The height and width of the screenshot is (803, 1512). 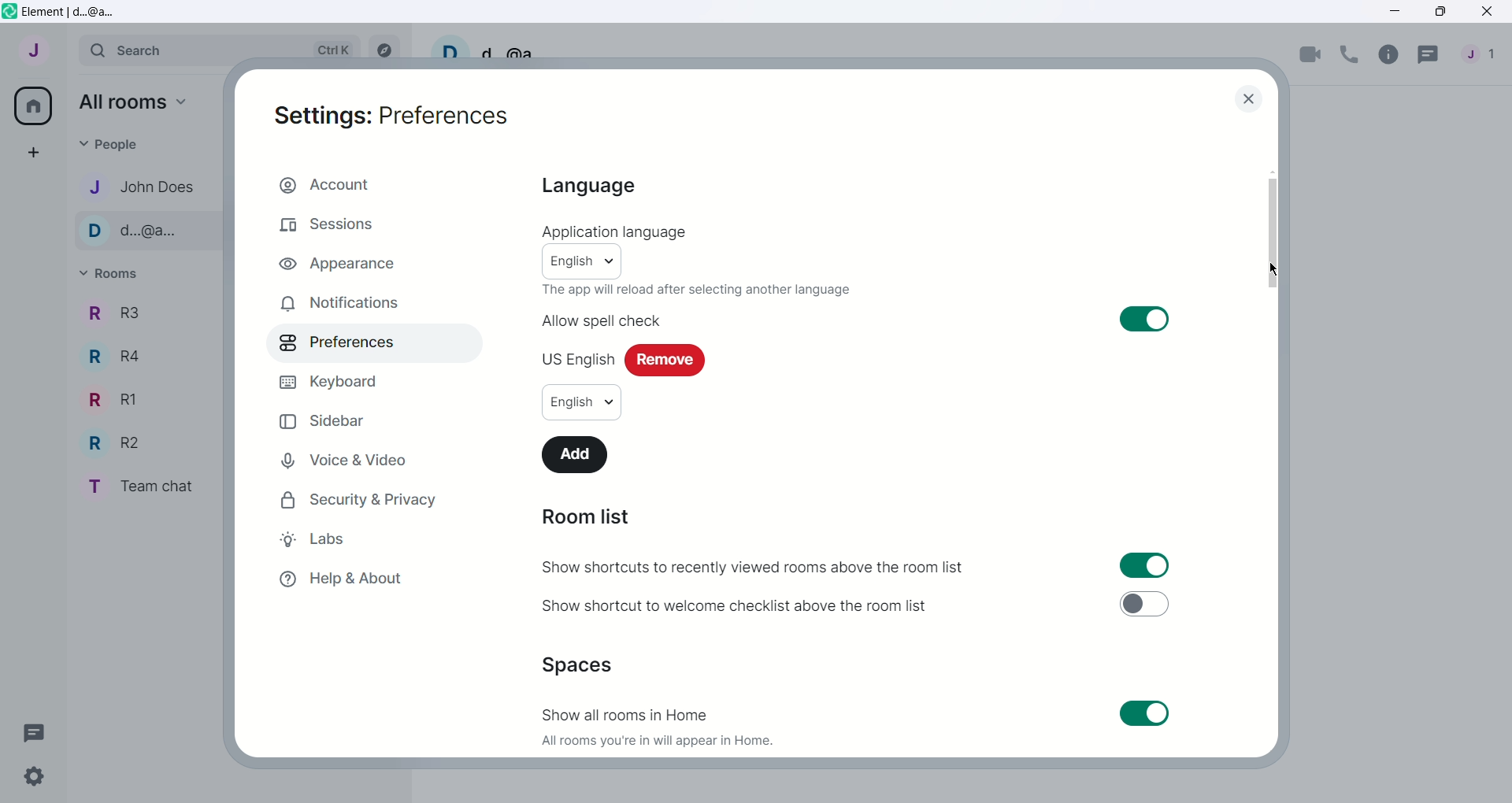 I want to click on Explore rooms, so click(x=384, y=47).